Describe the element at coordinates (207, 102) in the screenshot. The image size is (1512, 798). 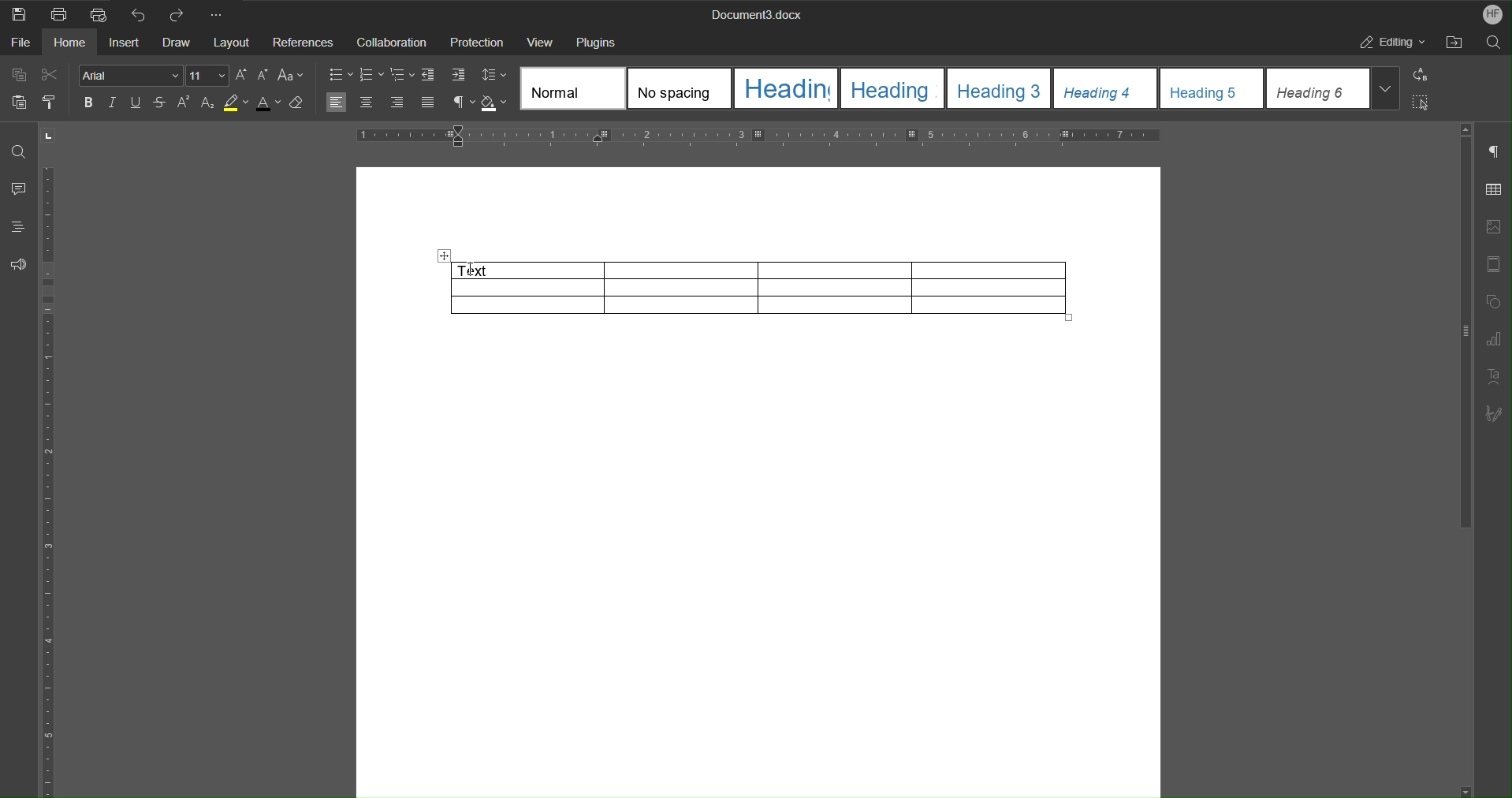
I see `Subscript` at that location.